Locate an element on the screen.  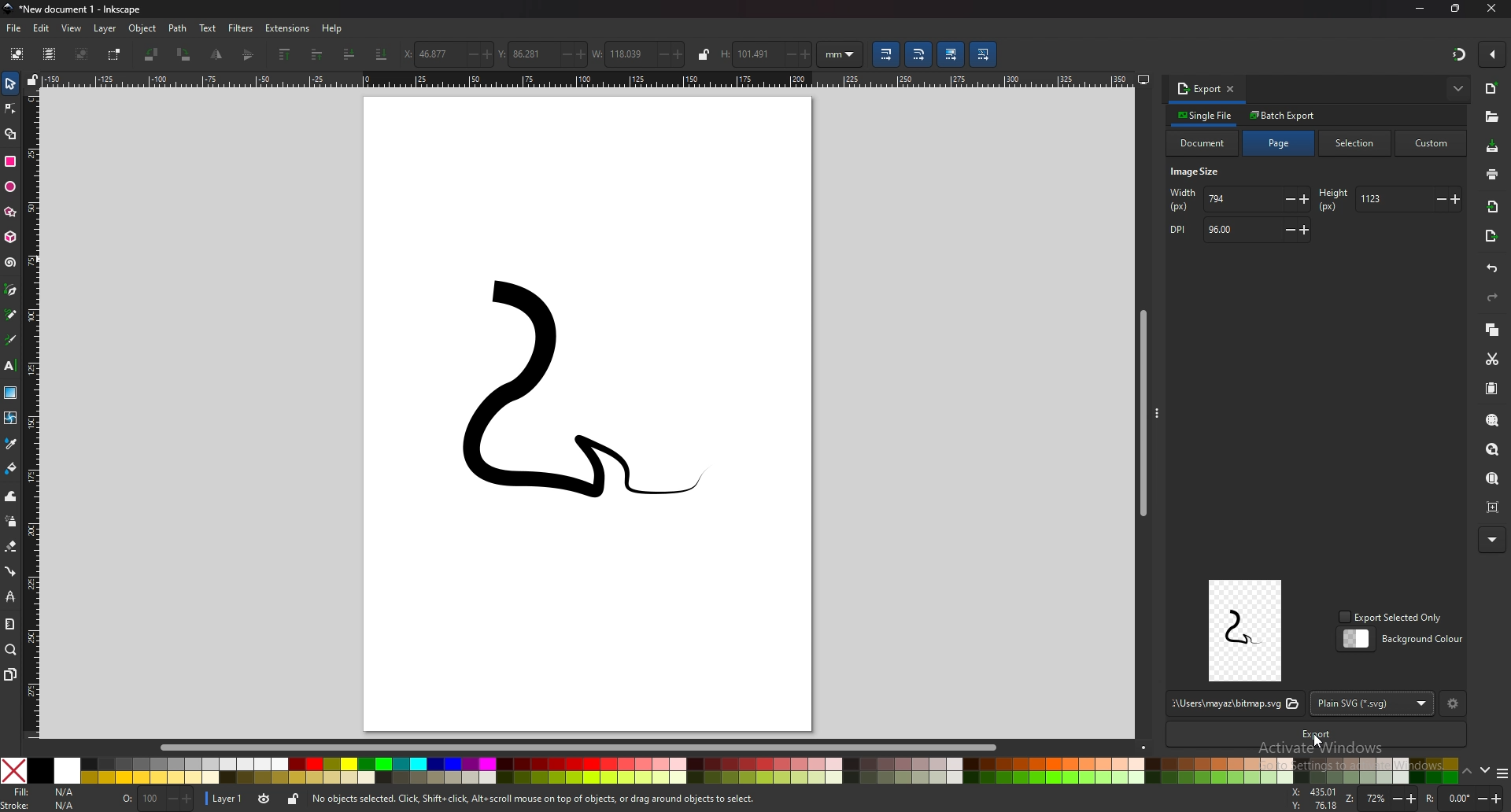
lock is located at coordinates (293, 799).